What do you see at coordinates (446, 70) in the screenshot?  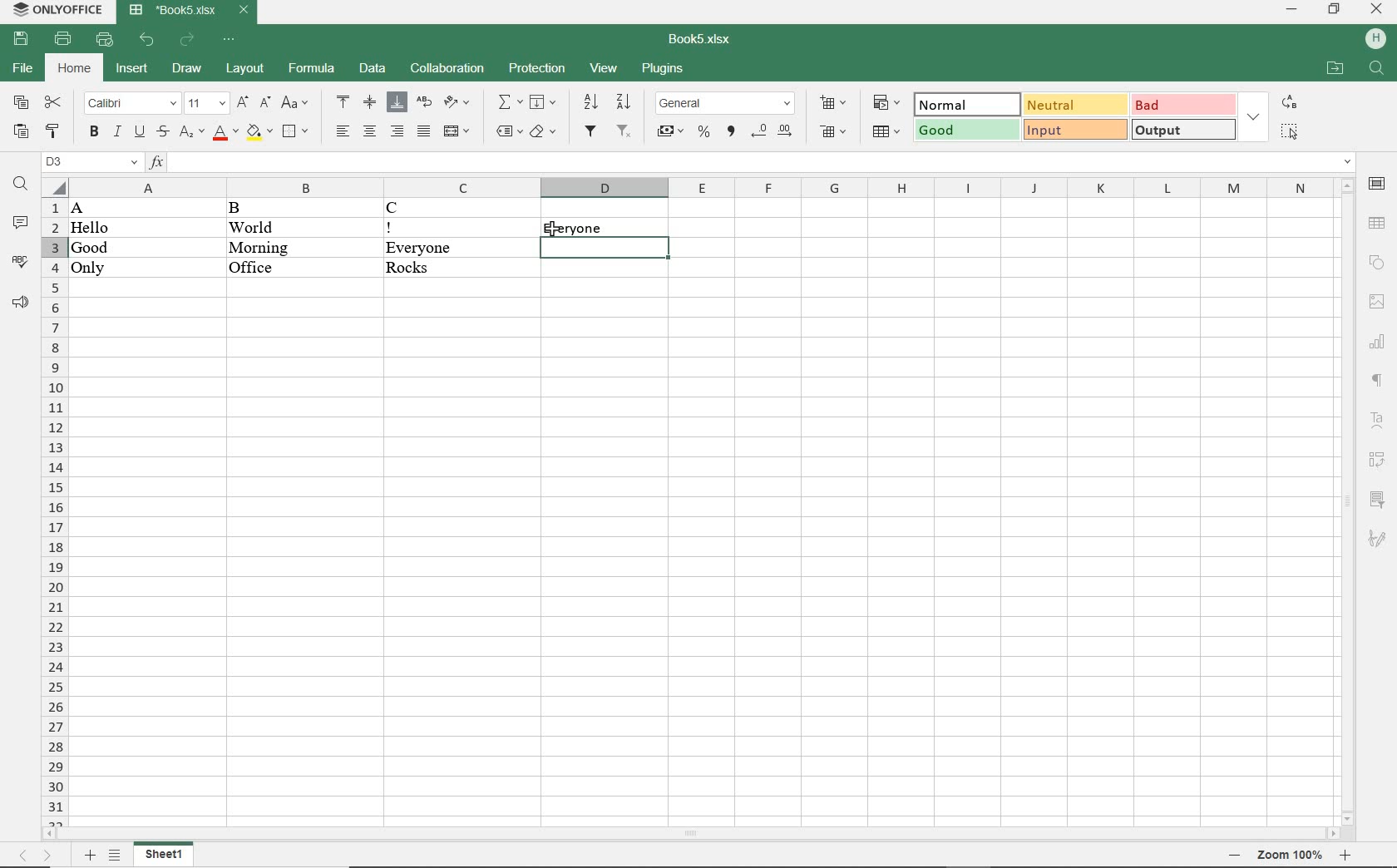 I see `collaboration` at bounding box center [446, 70].